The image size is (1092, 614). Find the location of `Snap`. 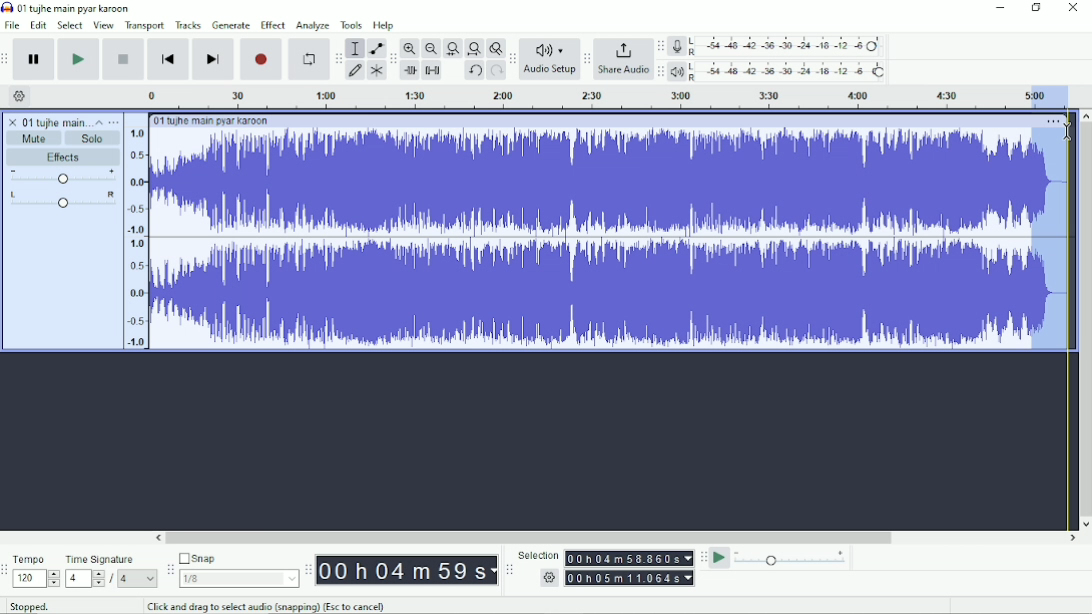

Snap is located at coordinates (239, 559).